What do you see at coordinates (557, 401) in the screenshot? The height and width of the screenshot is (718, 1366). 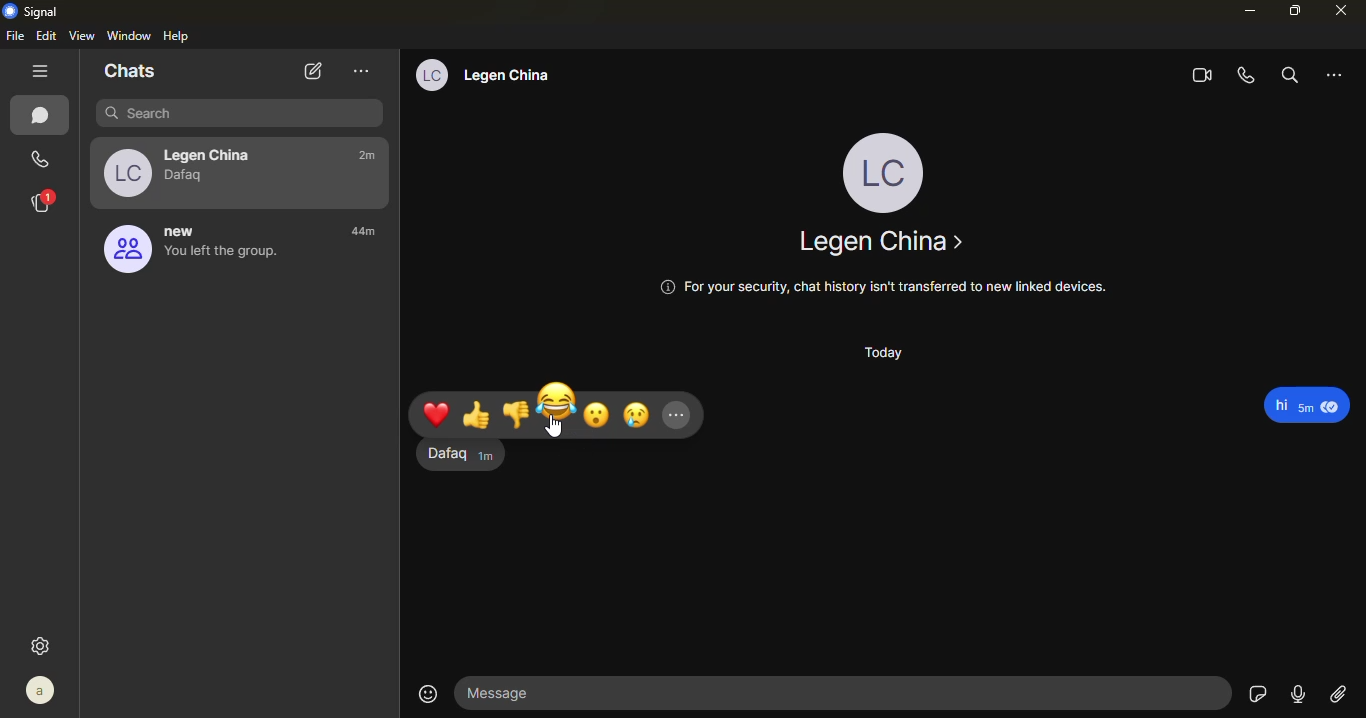 I see `happy` at bounding box center [557, 401].